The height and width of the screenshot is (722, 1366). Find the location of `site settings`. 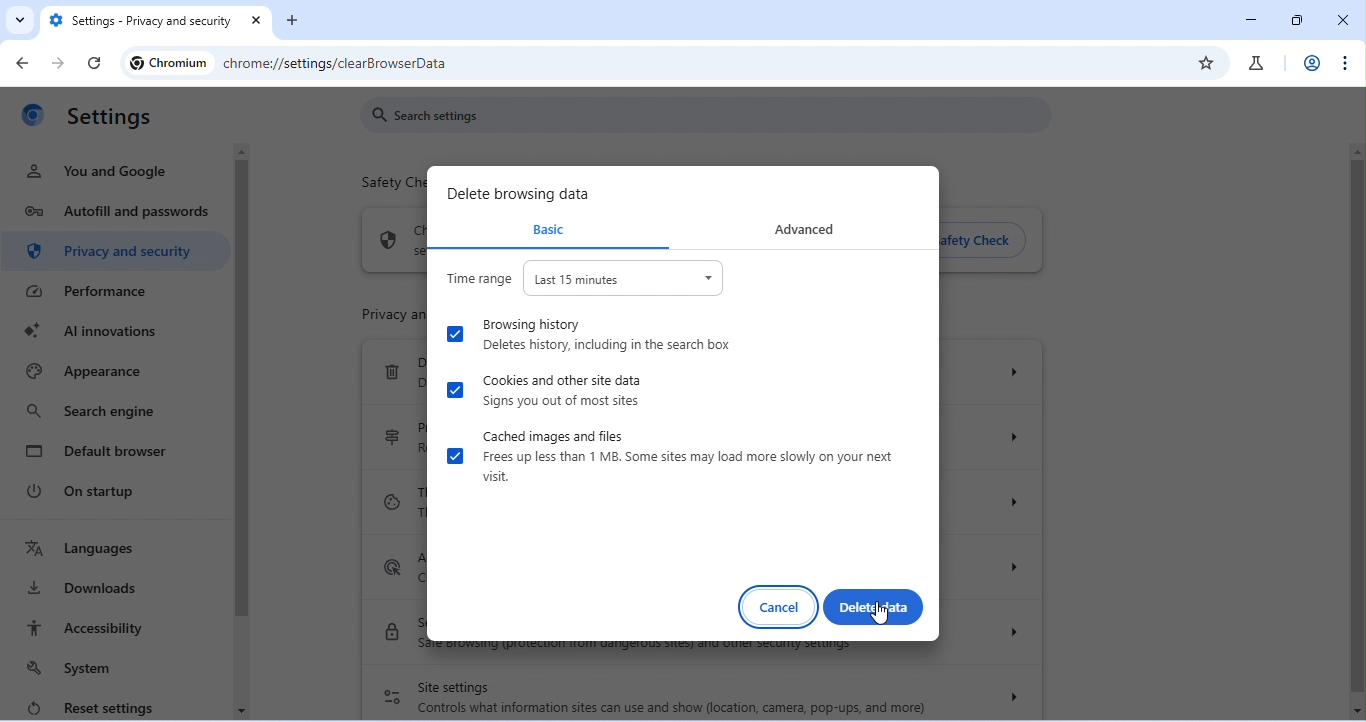

site settings is located at coordinates (455, 688).